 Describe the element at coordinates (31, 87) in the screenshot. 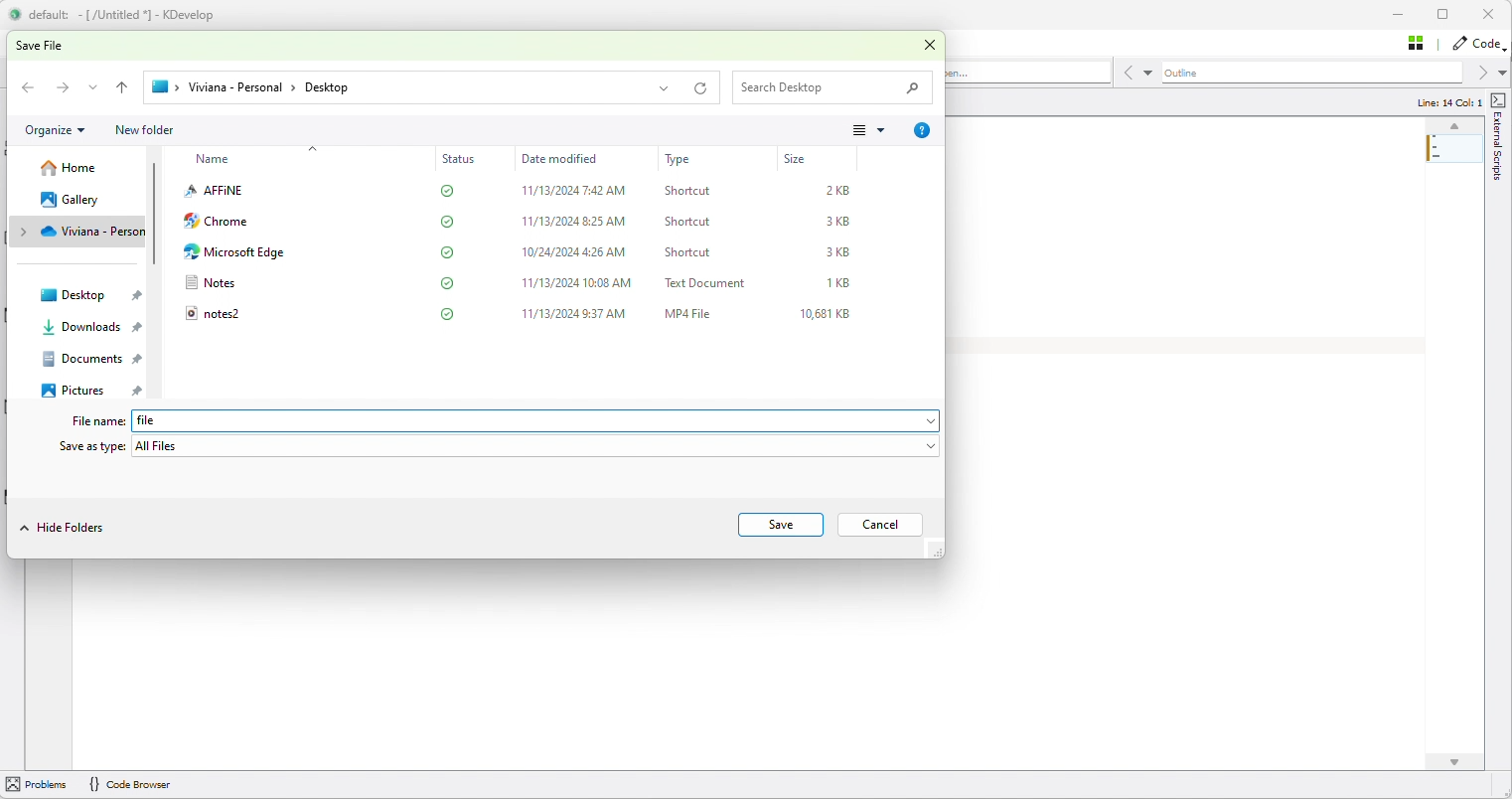

I see `Backward` at that location.